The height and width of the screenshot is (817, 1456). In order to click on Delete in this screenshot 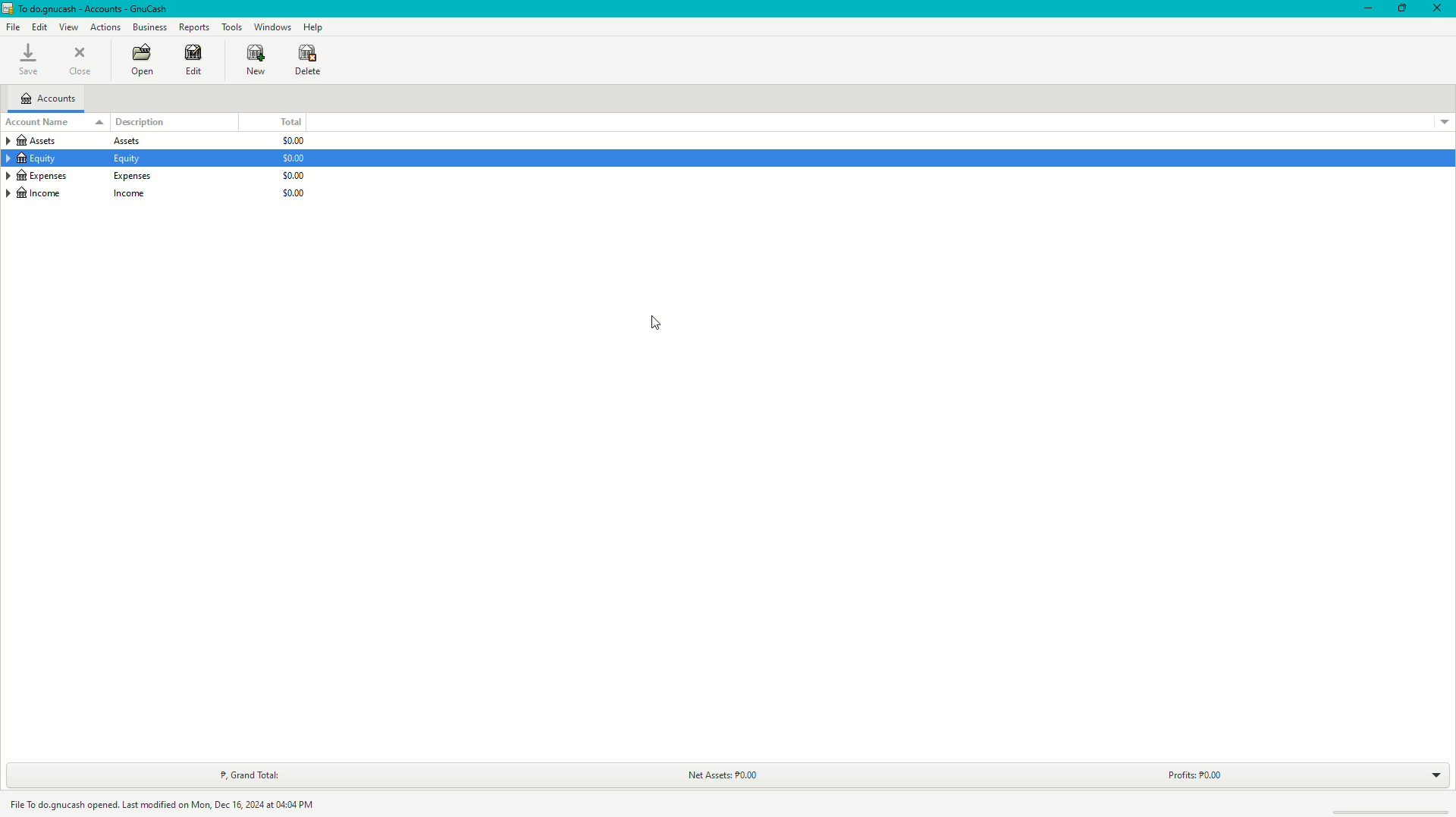, I will do `click(309, 61)`.